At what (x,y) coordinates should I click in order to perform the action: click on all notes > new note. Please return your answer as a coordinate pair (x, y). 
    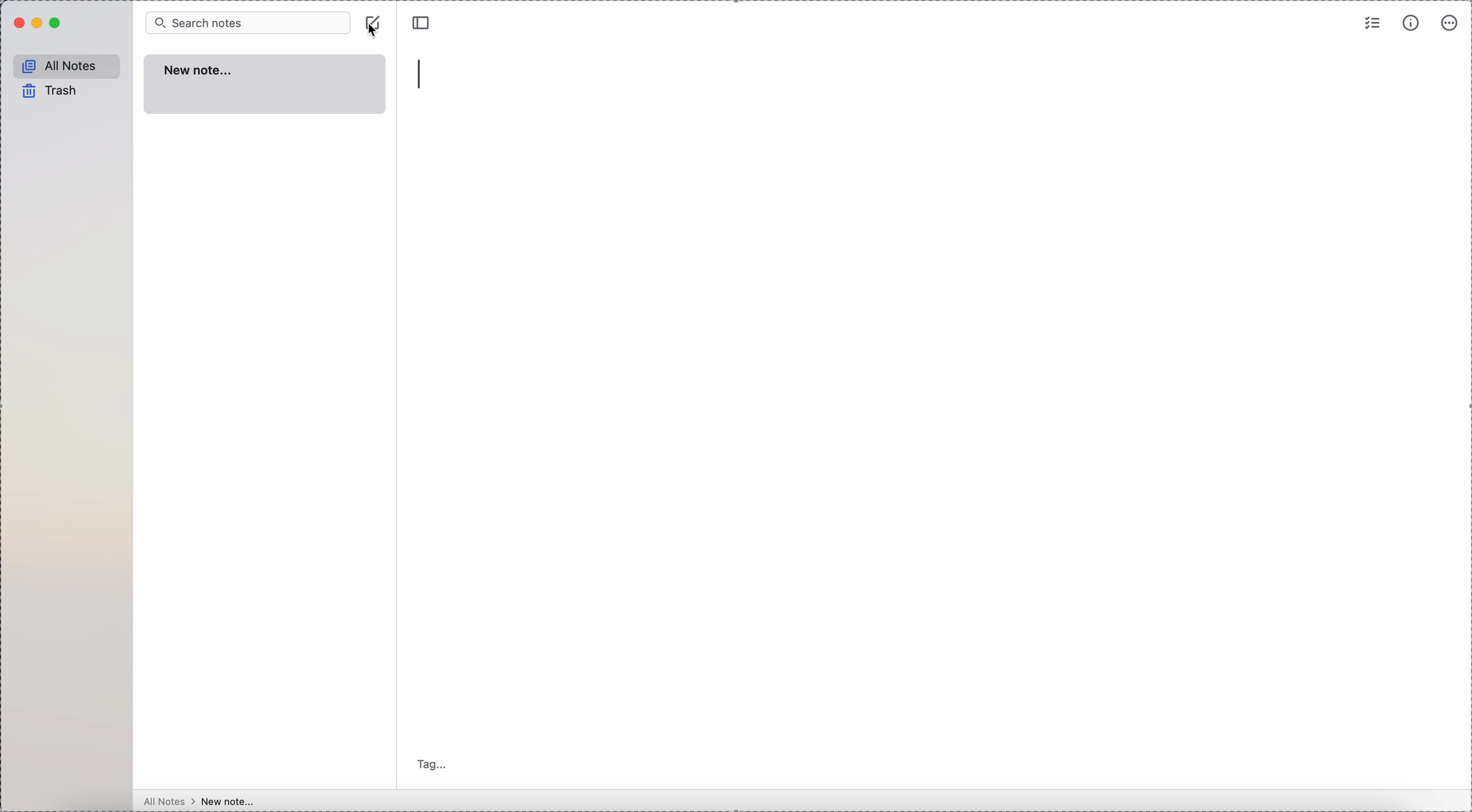
    Looking at the image, I should click on (201, 800).